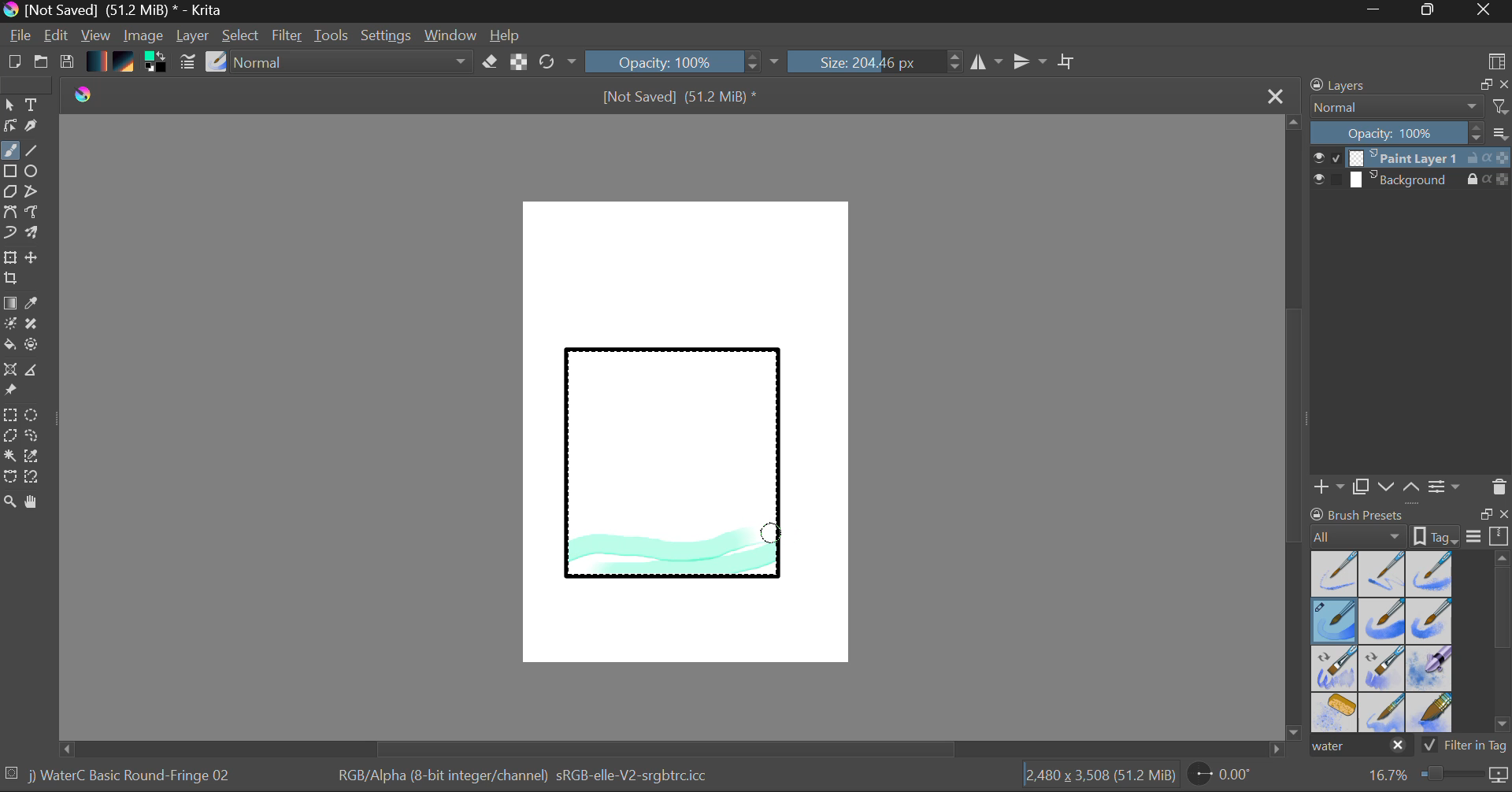 This screenshot has height=792, width=1512. Describe the element at coordinates (9, 128) in the screenshot. I see `Edit Shapes` at that location.